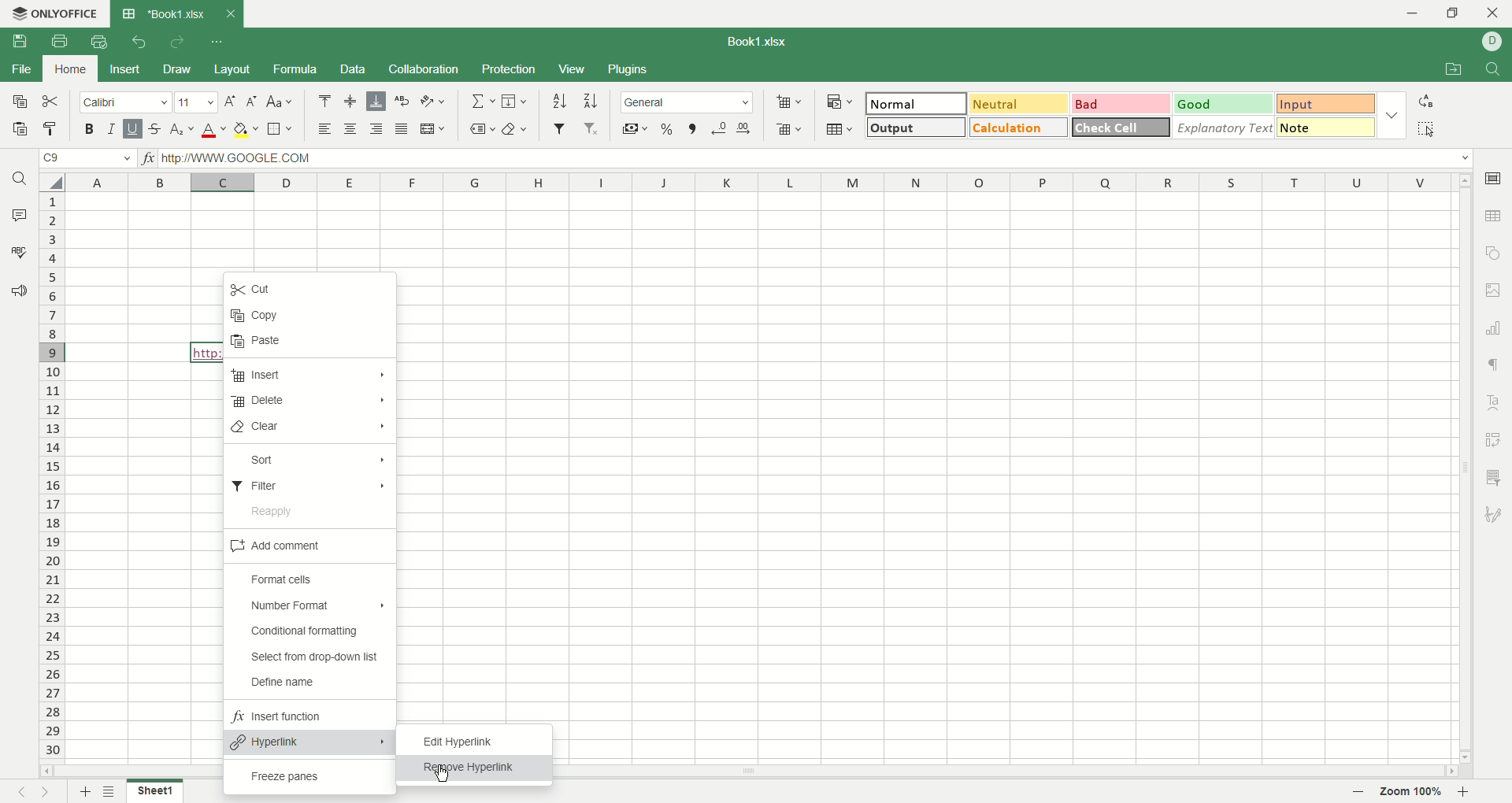  I want to click on cell option, so click(1496, 178).